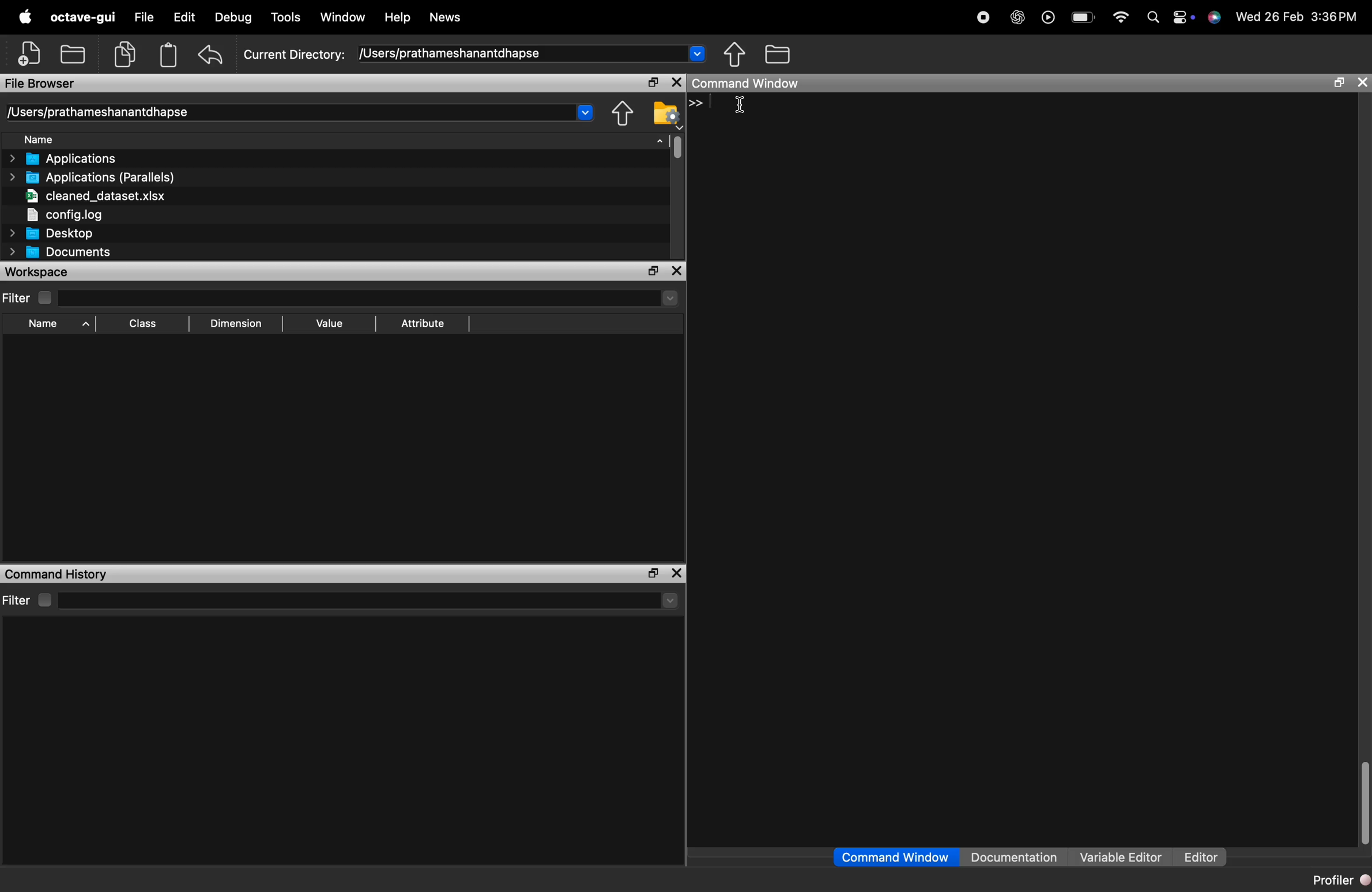  What do you see at coordinates (1155, 18) in the screenshot?
I see `search` at bounding box center [1155, 18].